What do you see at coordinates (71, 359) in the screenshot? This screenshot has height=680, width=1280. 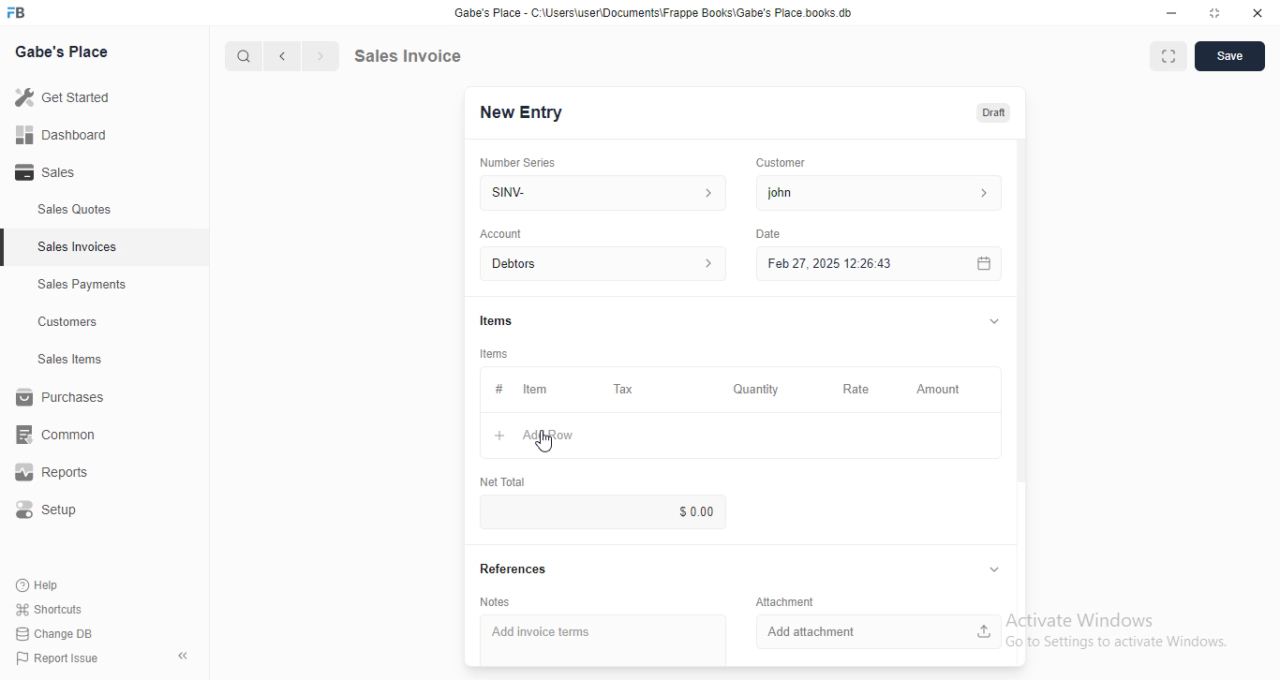 I see `Sales tems` at bounding box center [71, 359].